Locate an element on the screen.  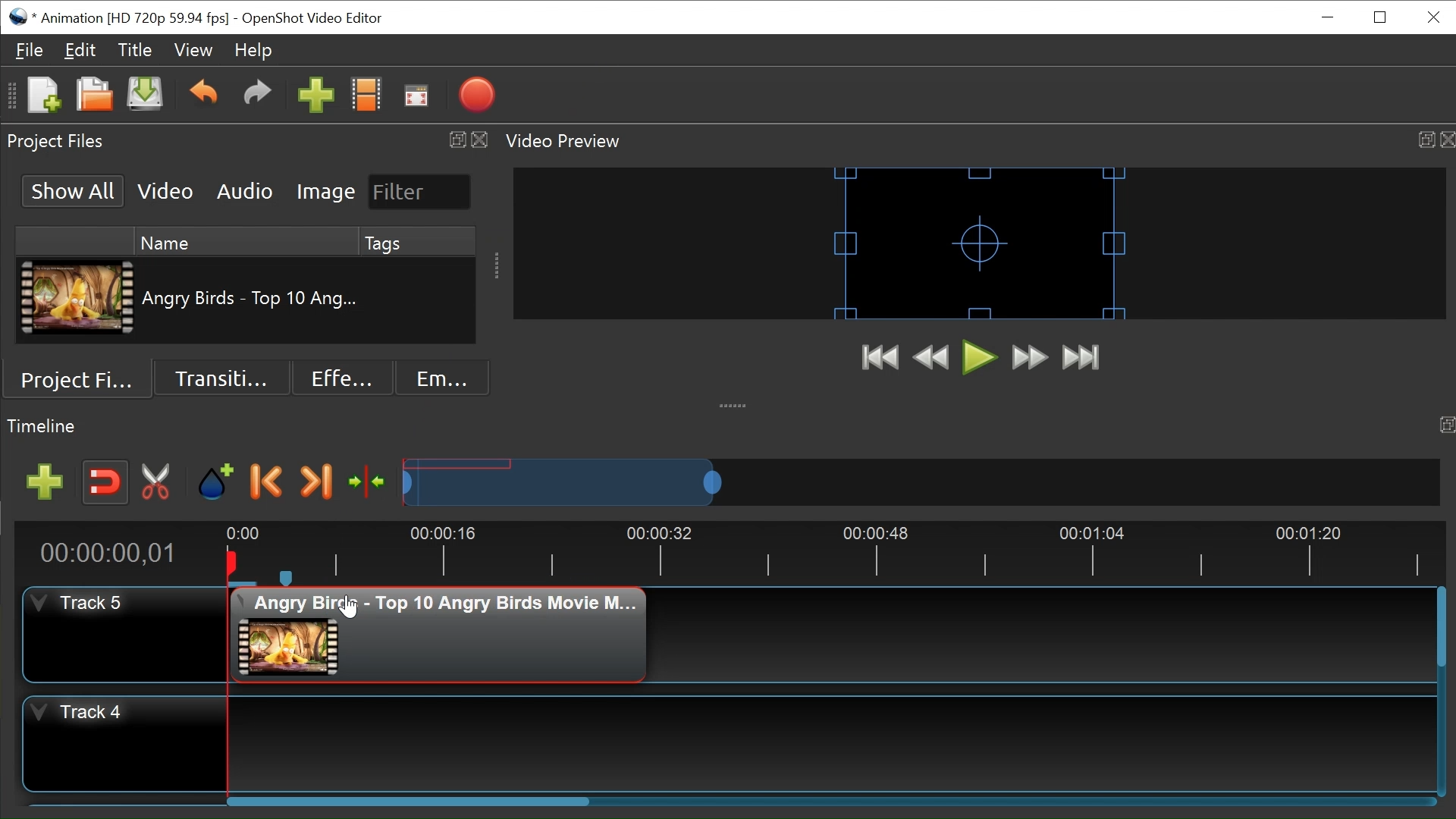
Show All is located at coordinates (71, 191).